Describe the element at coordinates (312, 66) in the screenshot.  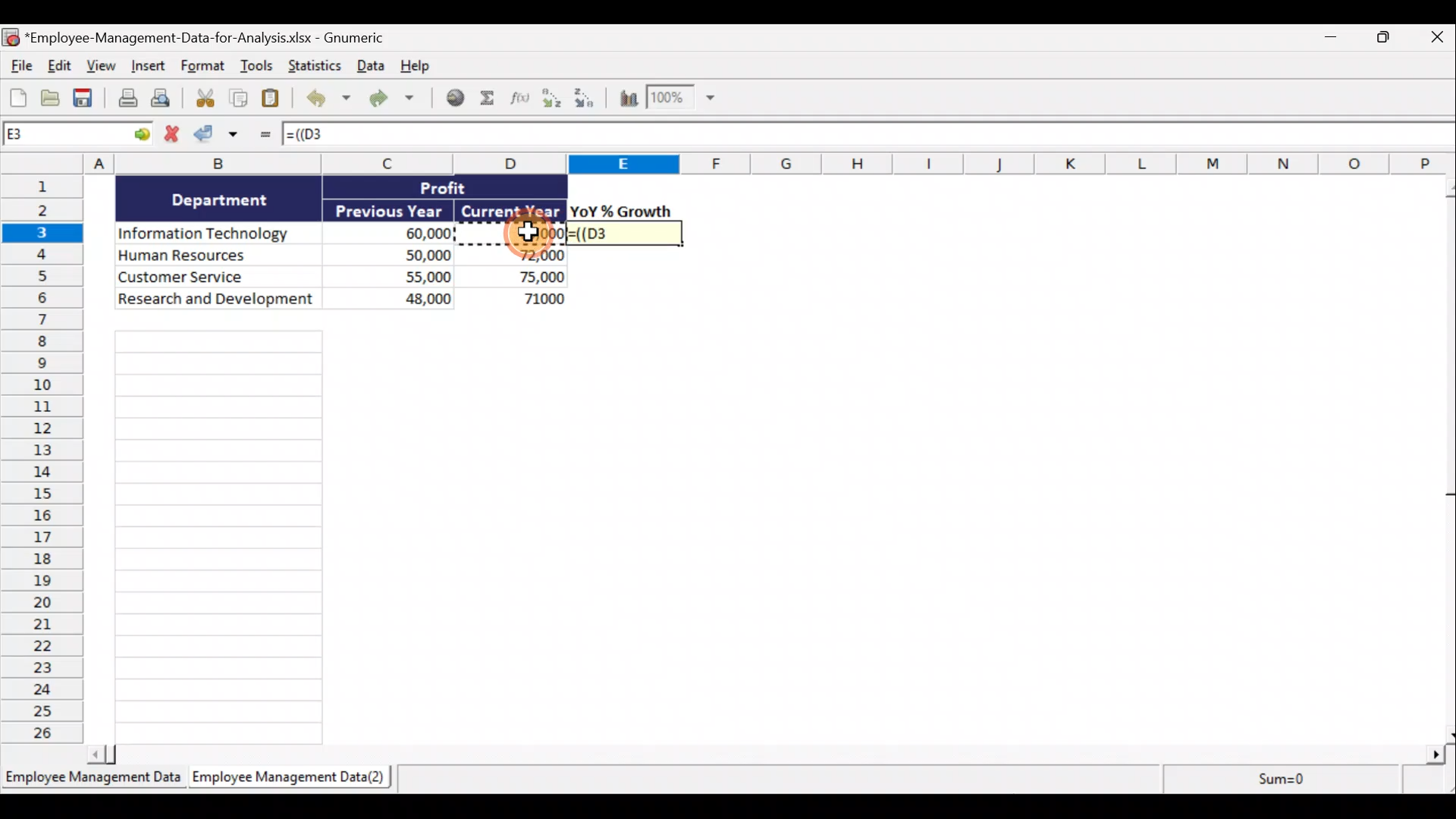
I see `Statistics` at that location.